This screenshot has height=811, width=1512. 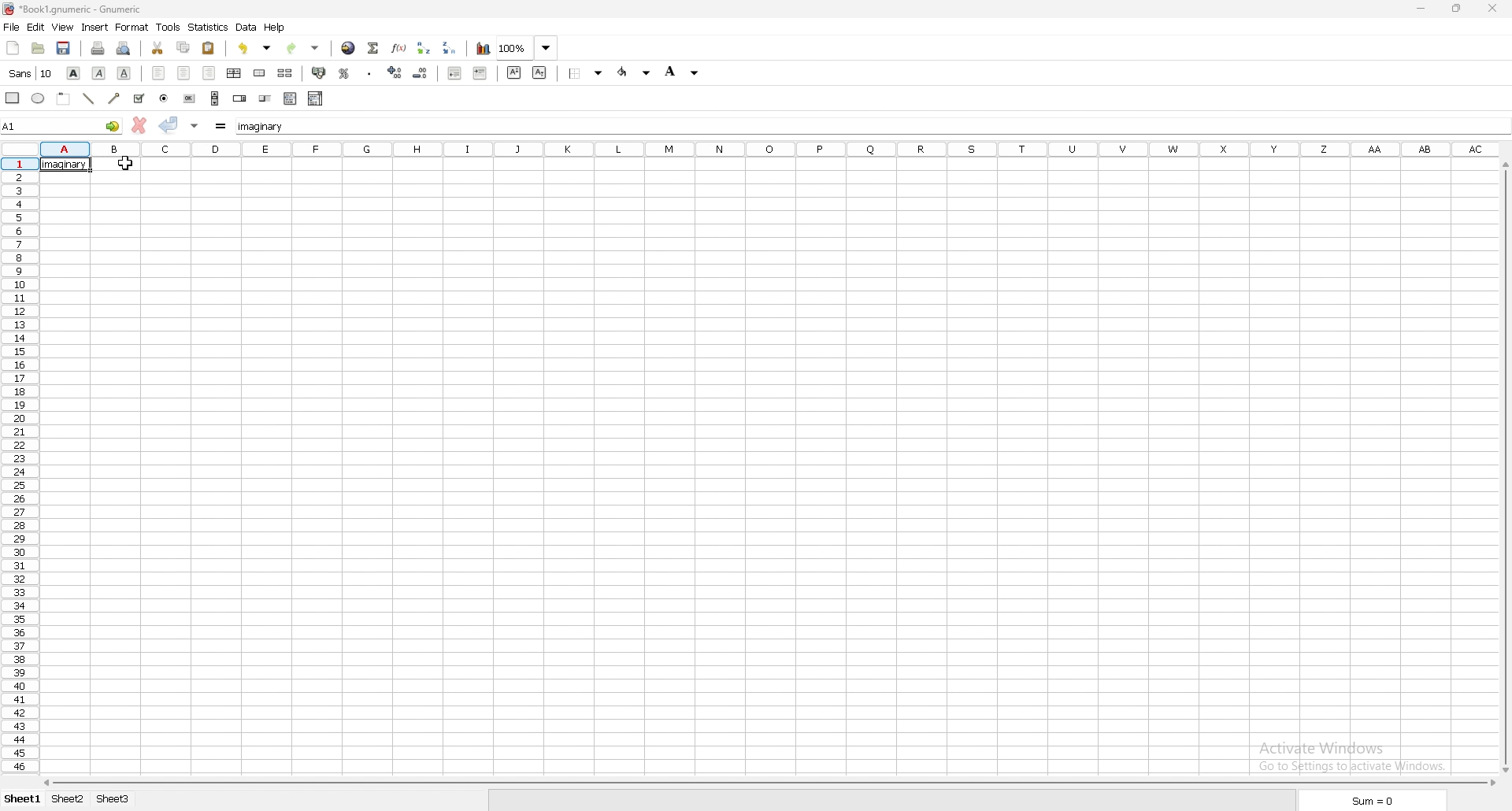 What do you see at coordinates (684, 72) in the screenshot?
I see `background` at bounding box center [684, 72].